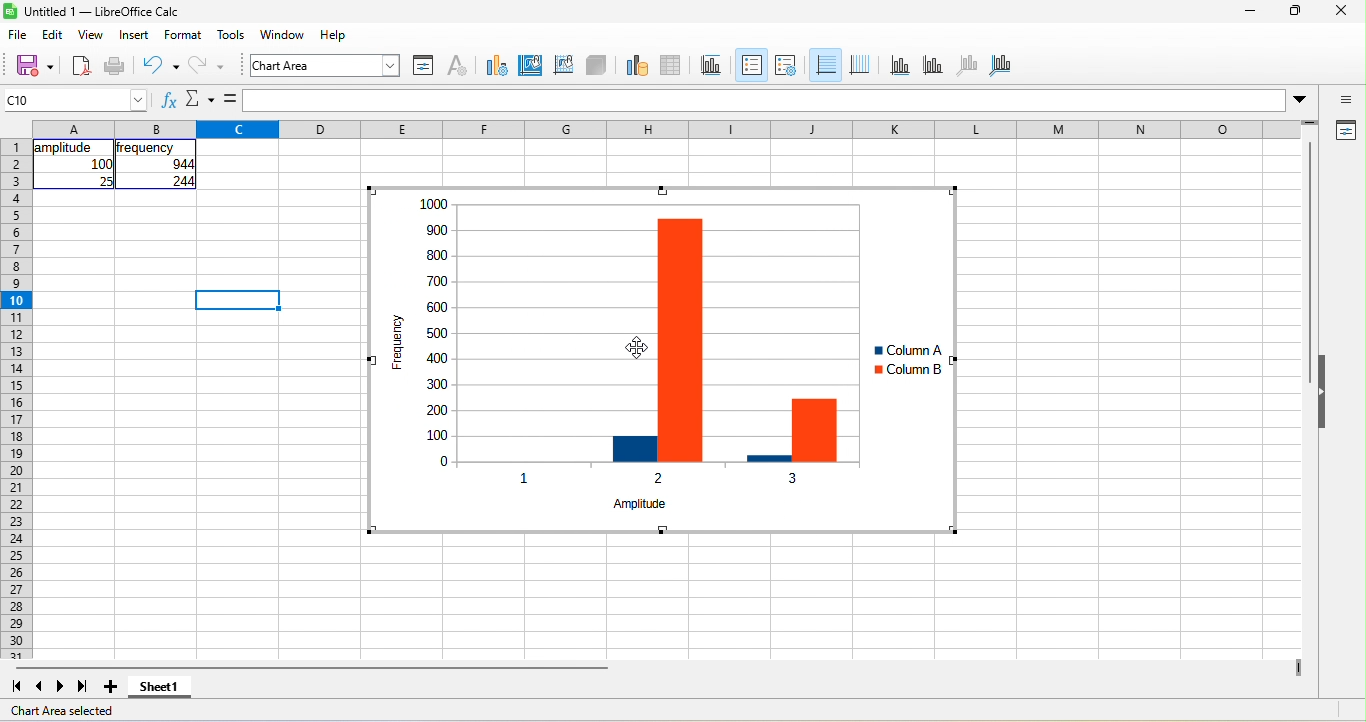 The image size is (1366, 722). Describe the element at coordinates (752, 65) in the screenshot. I see `legend on\off` at that location.